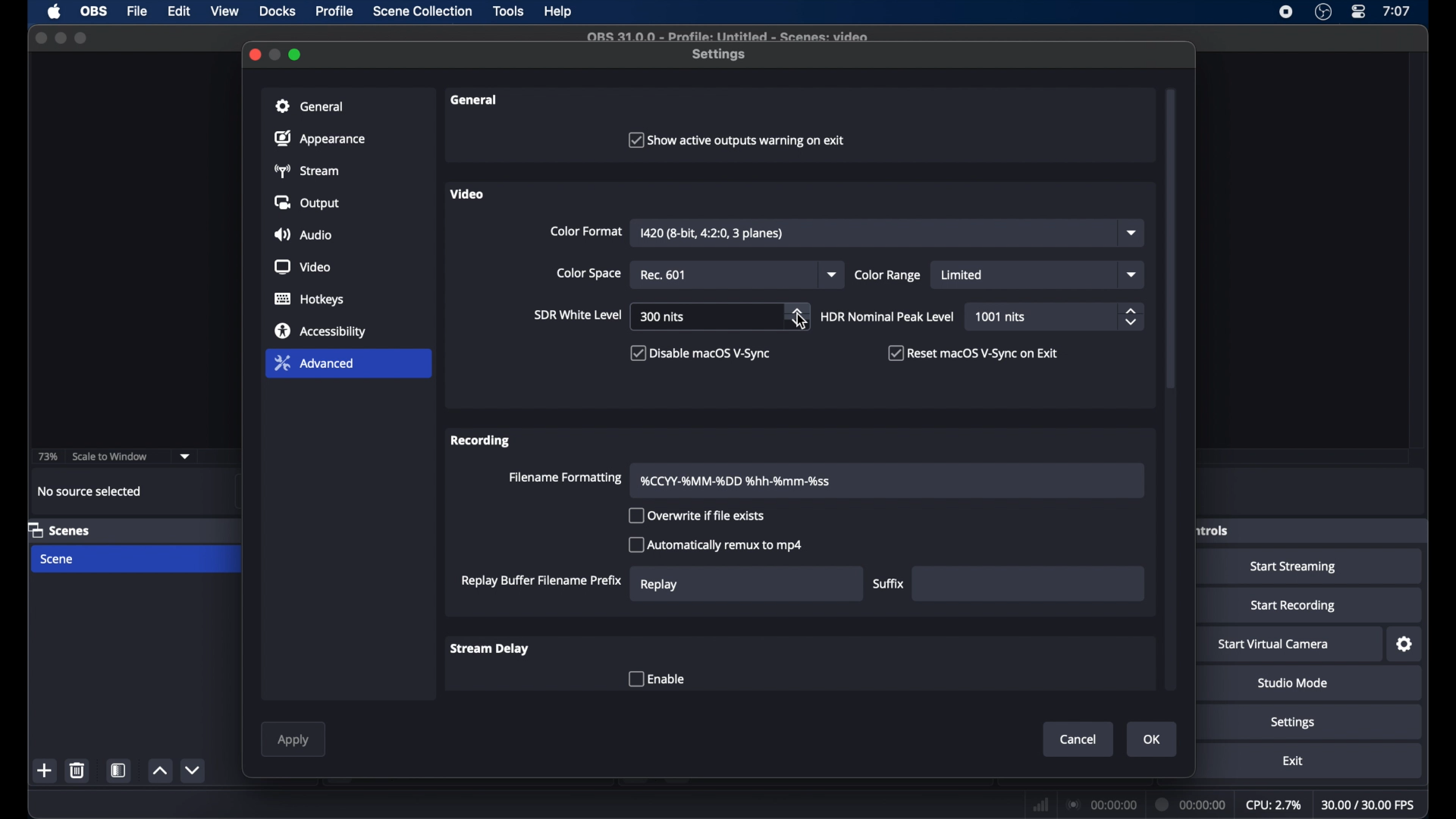  What do you see at coordinates (656, 678) in the screenshot?
I see `checkbox` at bounding box center [656, 678].